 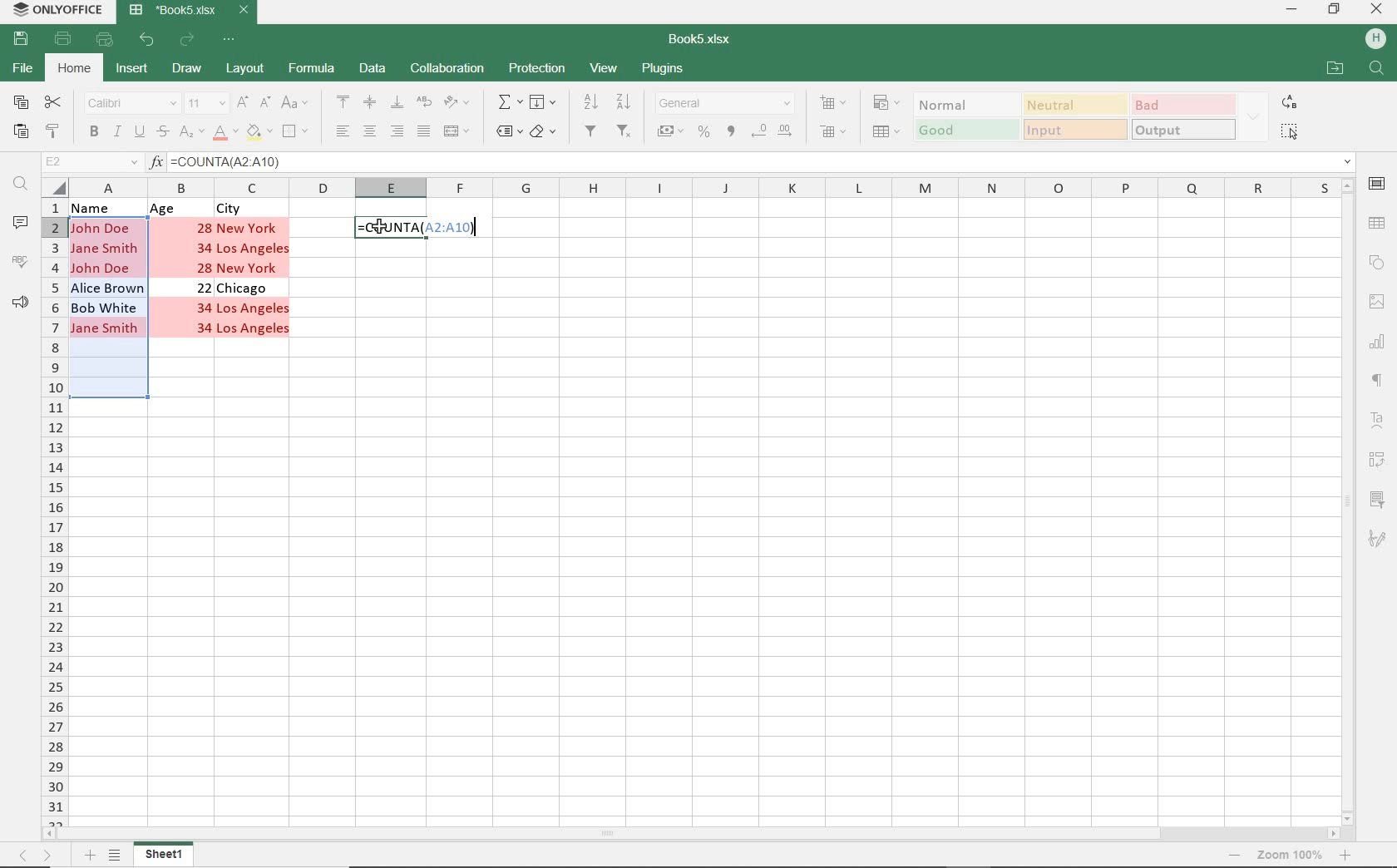 What do you see at coordinates (93, 133) in the screenshot?
I see `BOLD` at bounding box center [93, 133].